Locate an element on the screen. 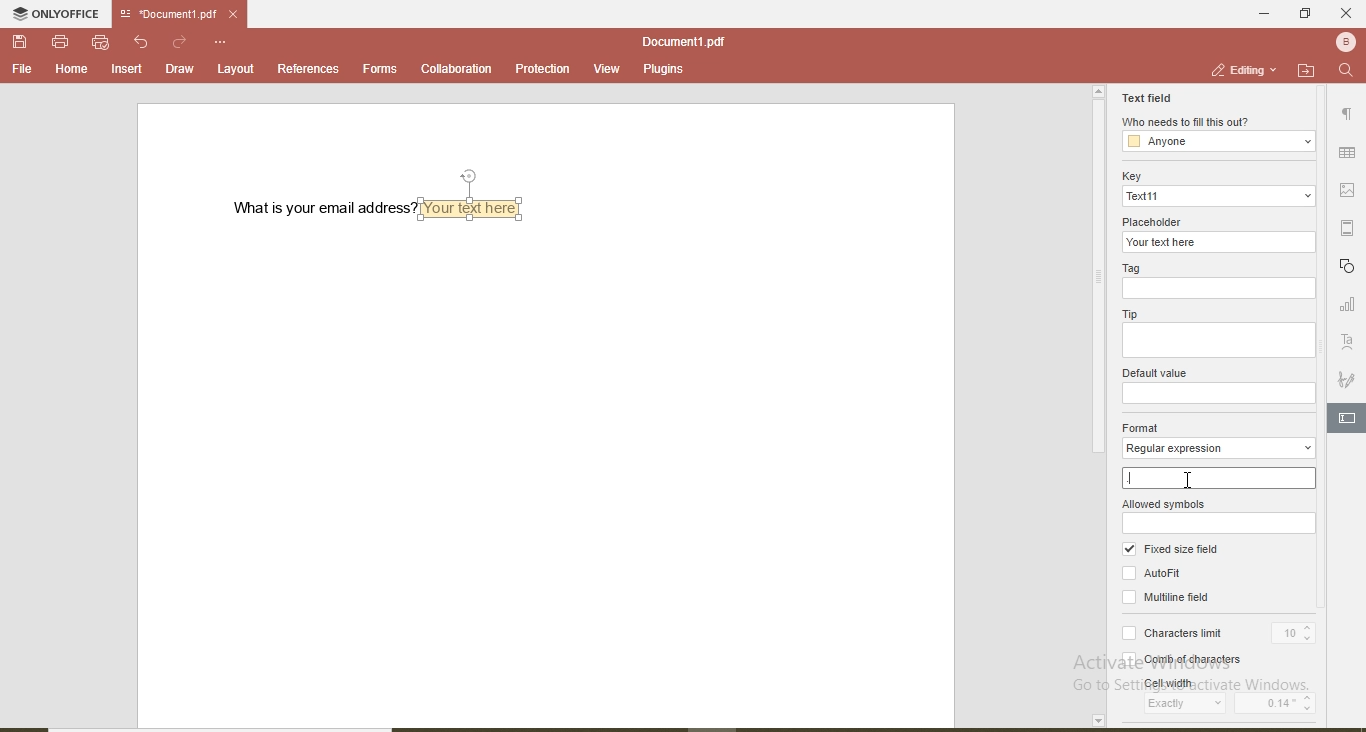 This screenshot has width=1366, height=732. open file location is located at coordinates (1306, 70).